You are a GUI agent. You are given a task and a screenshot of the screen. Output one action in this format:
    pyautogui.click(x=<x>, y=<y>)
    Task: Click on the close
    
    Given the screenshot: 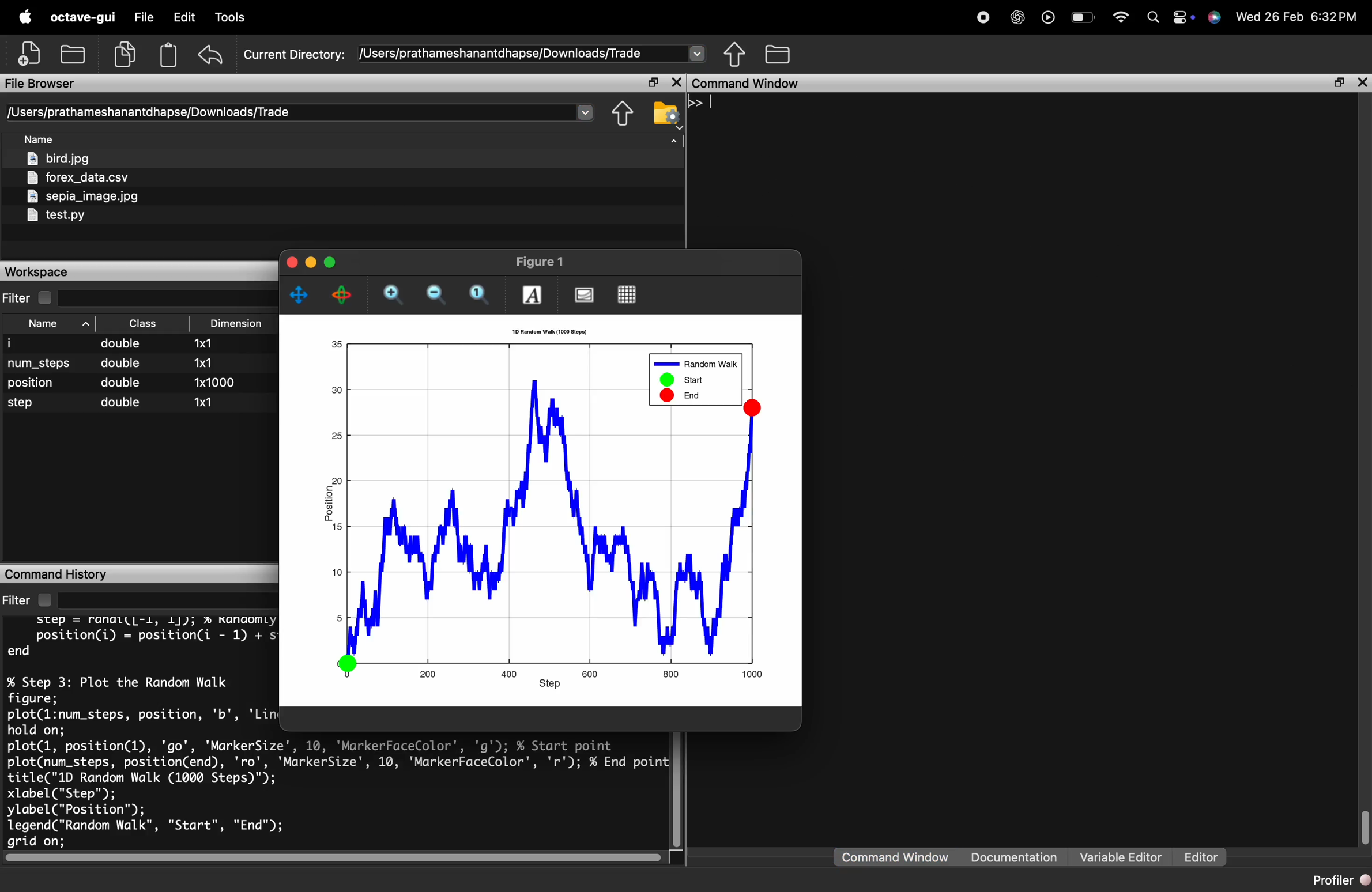 What is the action you would take?
    pyautogui.click(x=292, y=261)
    